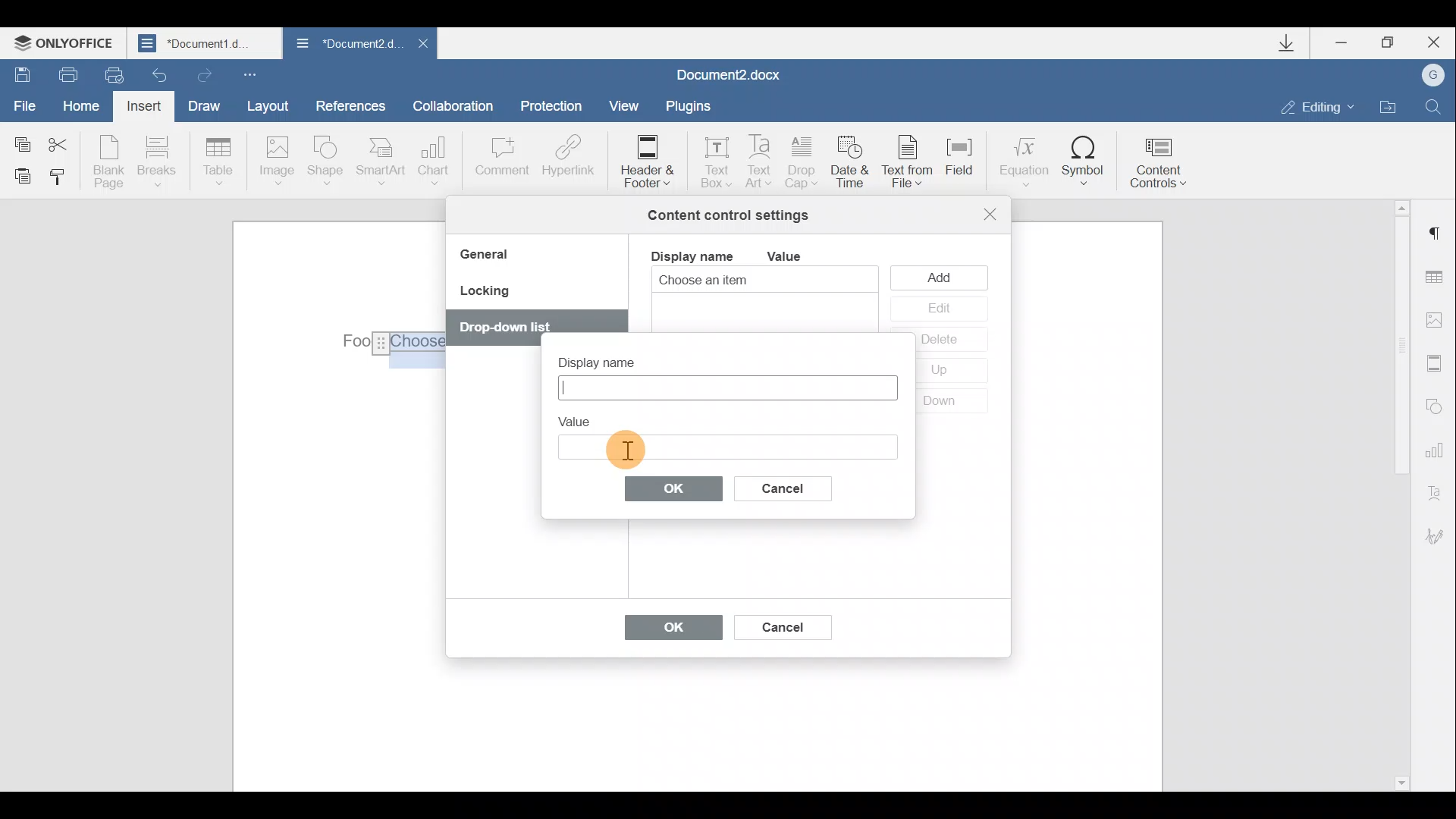 The image size is (1456, 819). Describe the element at coordinates (725, 388) in the screenshot. I see `Text box` at that location.